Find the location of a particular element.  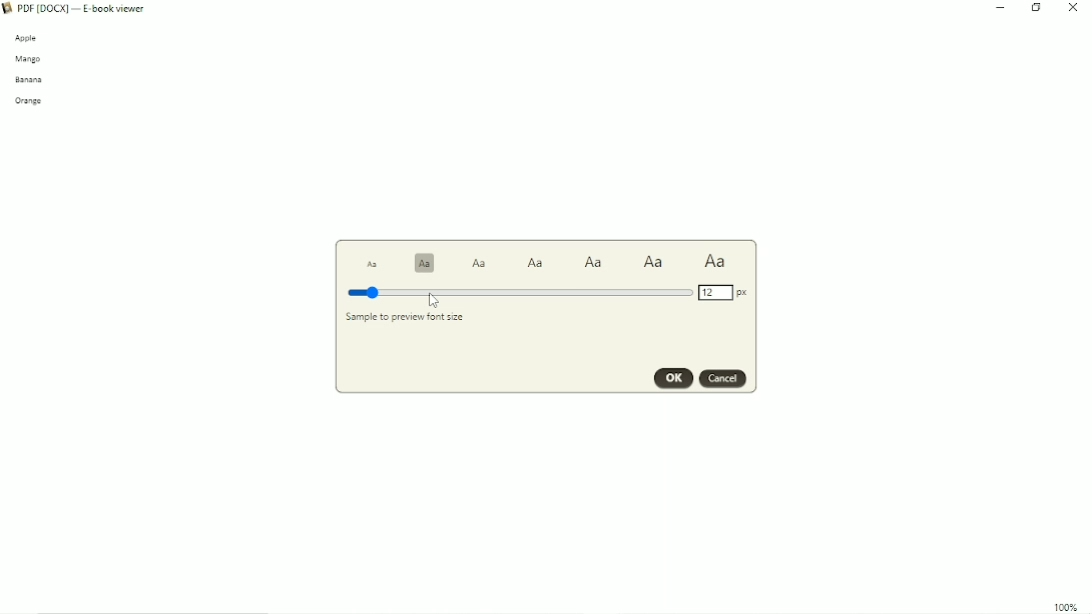

Text size is located at coordinates (480, 264).